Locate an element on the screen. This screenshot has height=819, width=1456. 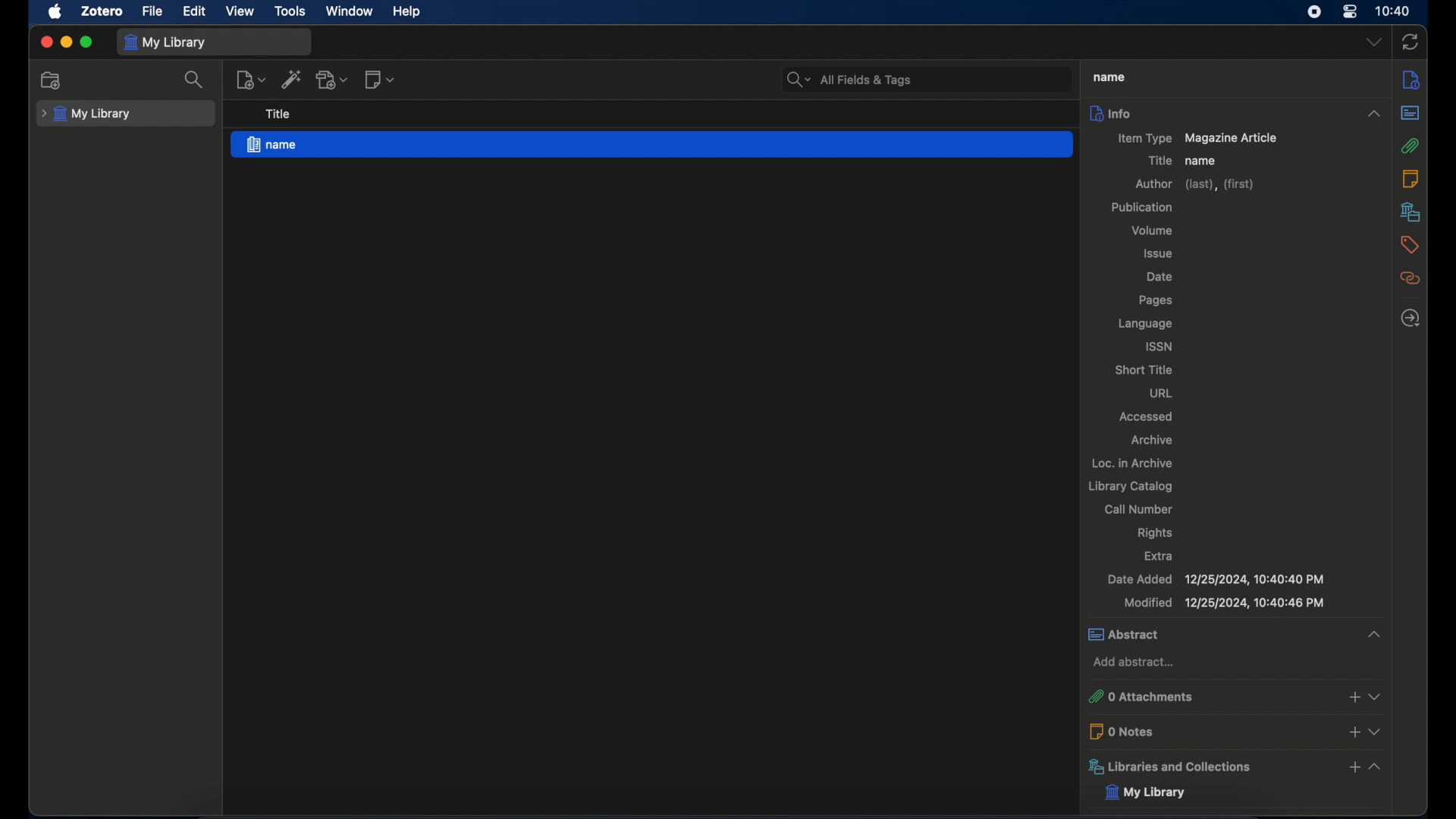
title is located at coordinates (1159, 161).